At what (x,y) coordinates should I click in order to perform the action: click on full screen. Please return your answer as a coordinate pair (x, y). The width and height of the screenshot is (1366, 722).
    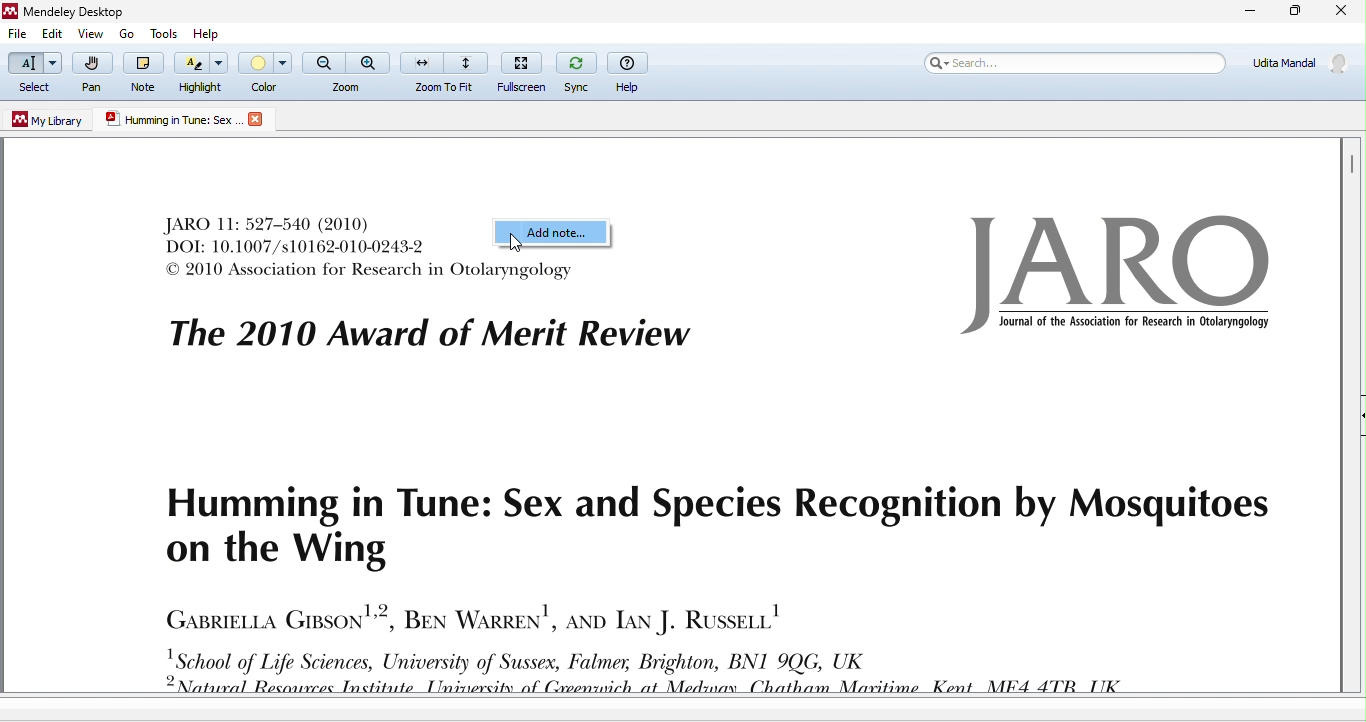
    Looking at the image, I should click on (526, 71).